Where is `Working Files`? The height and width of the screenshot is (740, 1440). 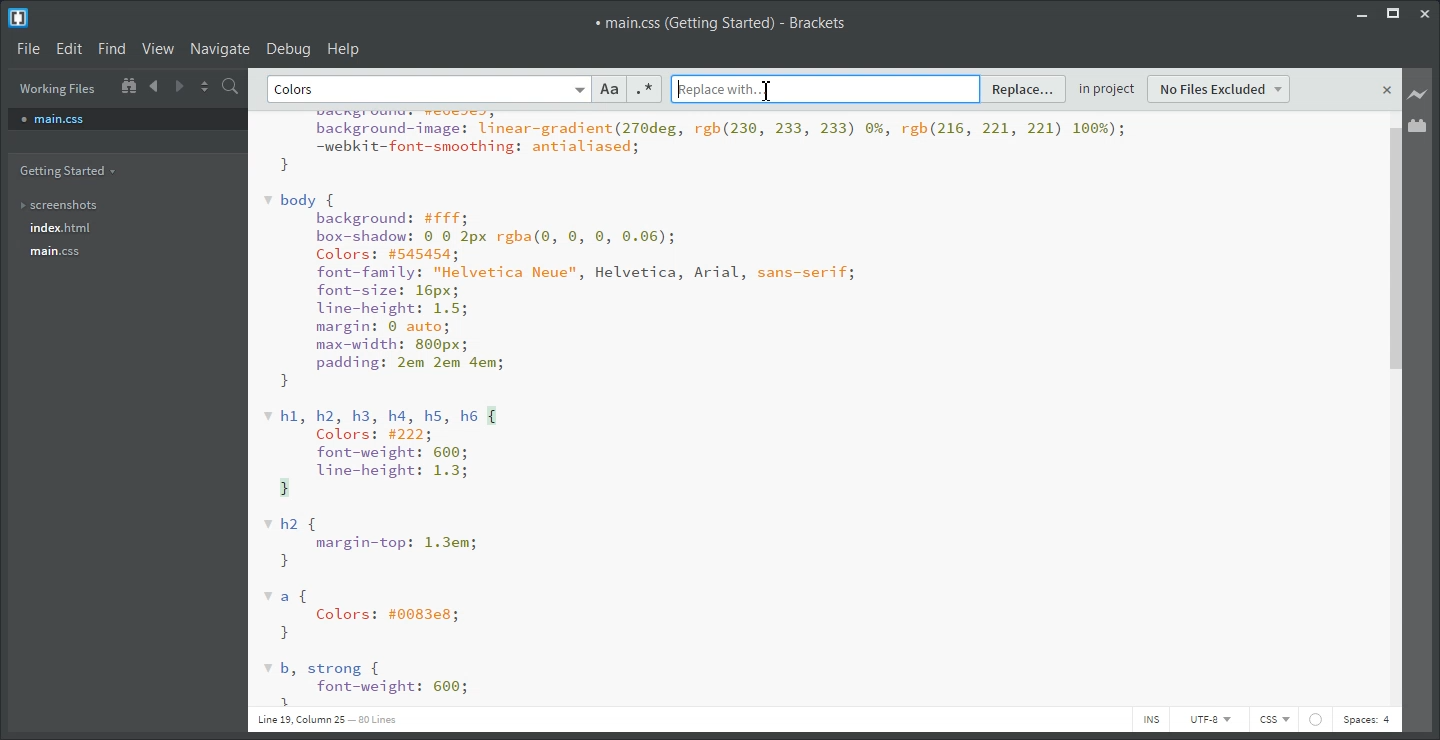
Working Files is located at coordinates (58, 89).